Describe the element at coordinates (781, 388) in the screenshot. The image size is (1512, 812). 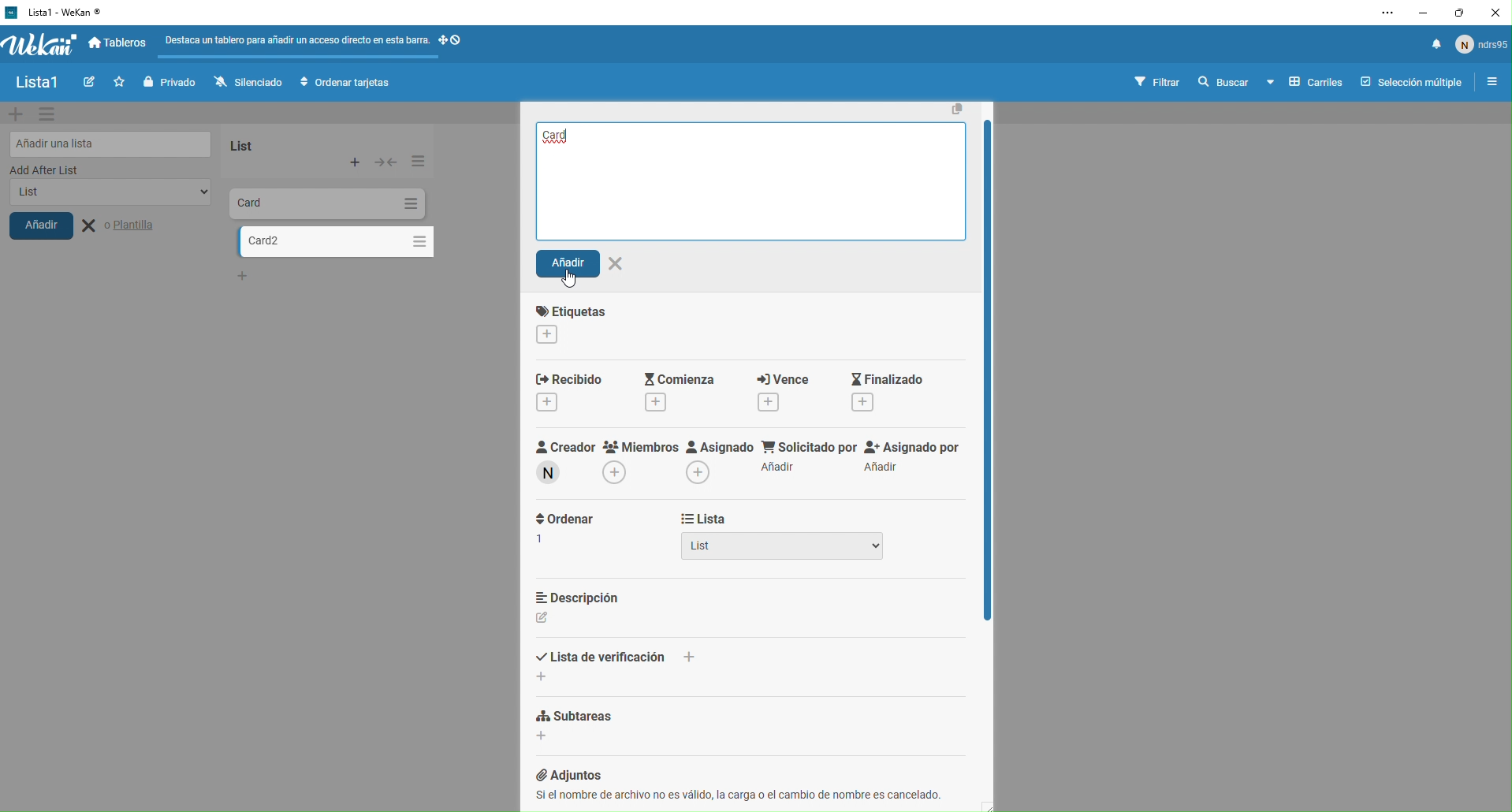
I see `vence` at that location.